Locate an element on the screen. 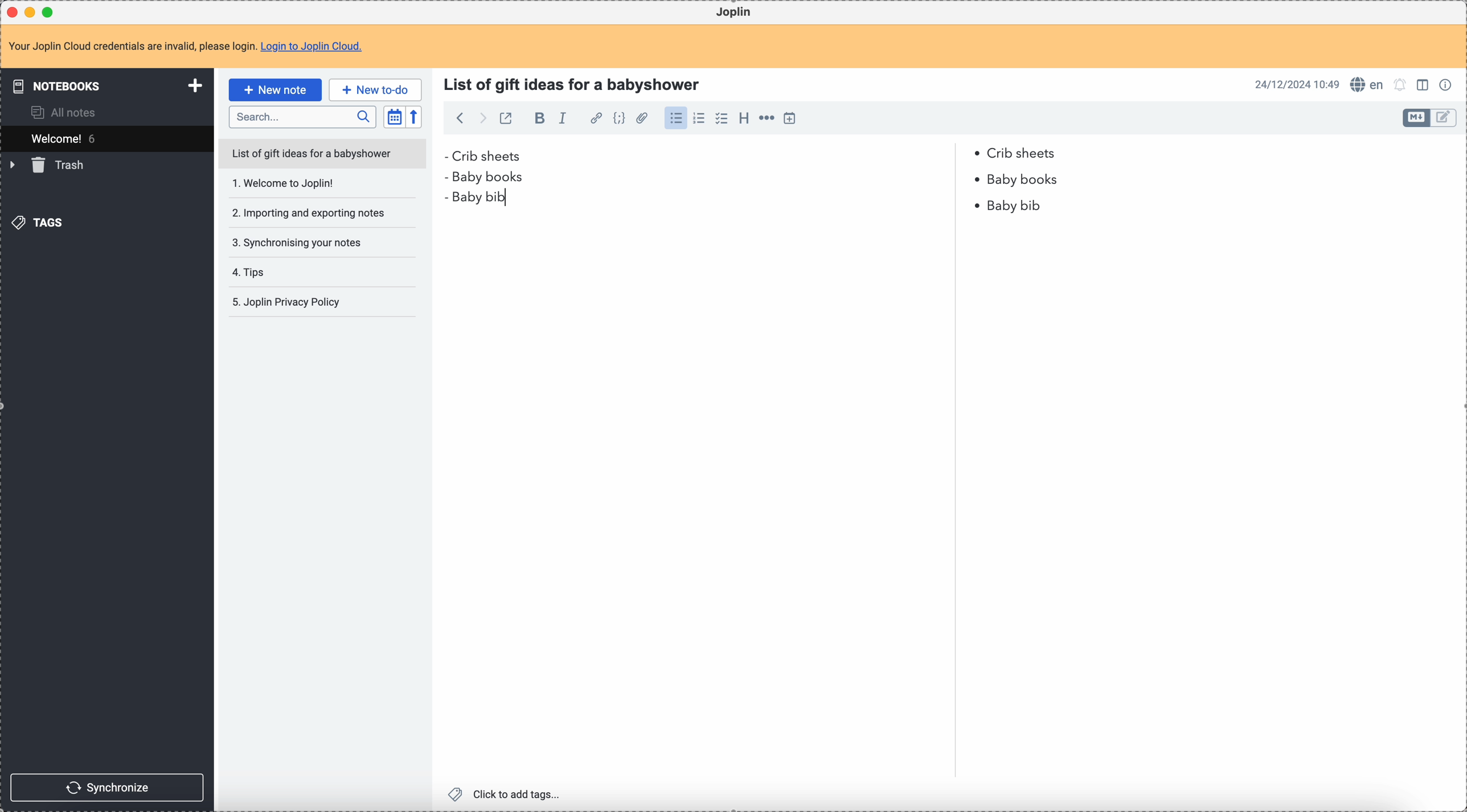 The height and width of the screenshot is (812, 1467). Joplin is located at coordinates (736, 13).